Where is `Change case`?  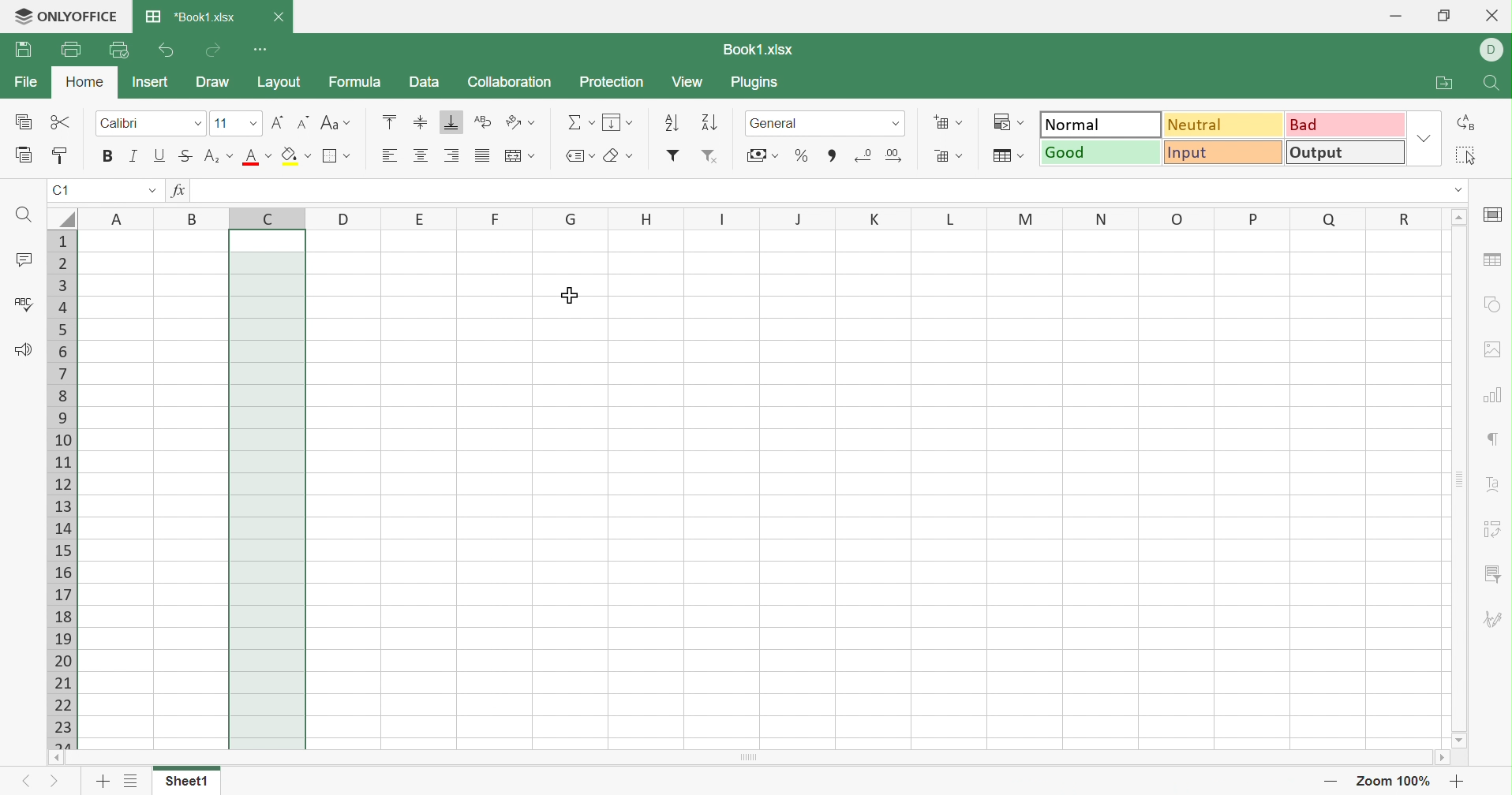
Change case is located at coordinates (327, 123).